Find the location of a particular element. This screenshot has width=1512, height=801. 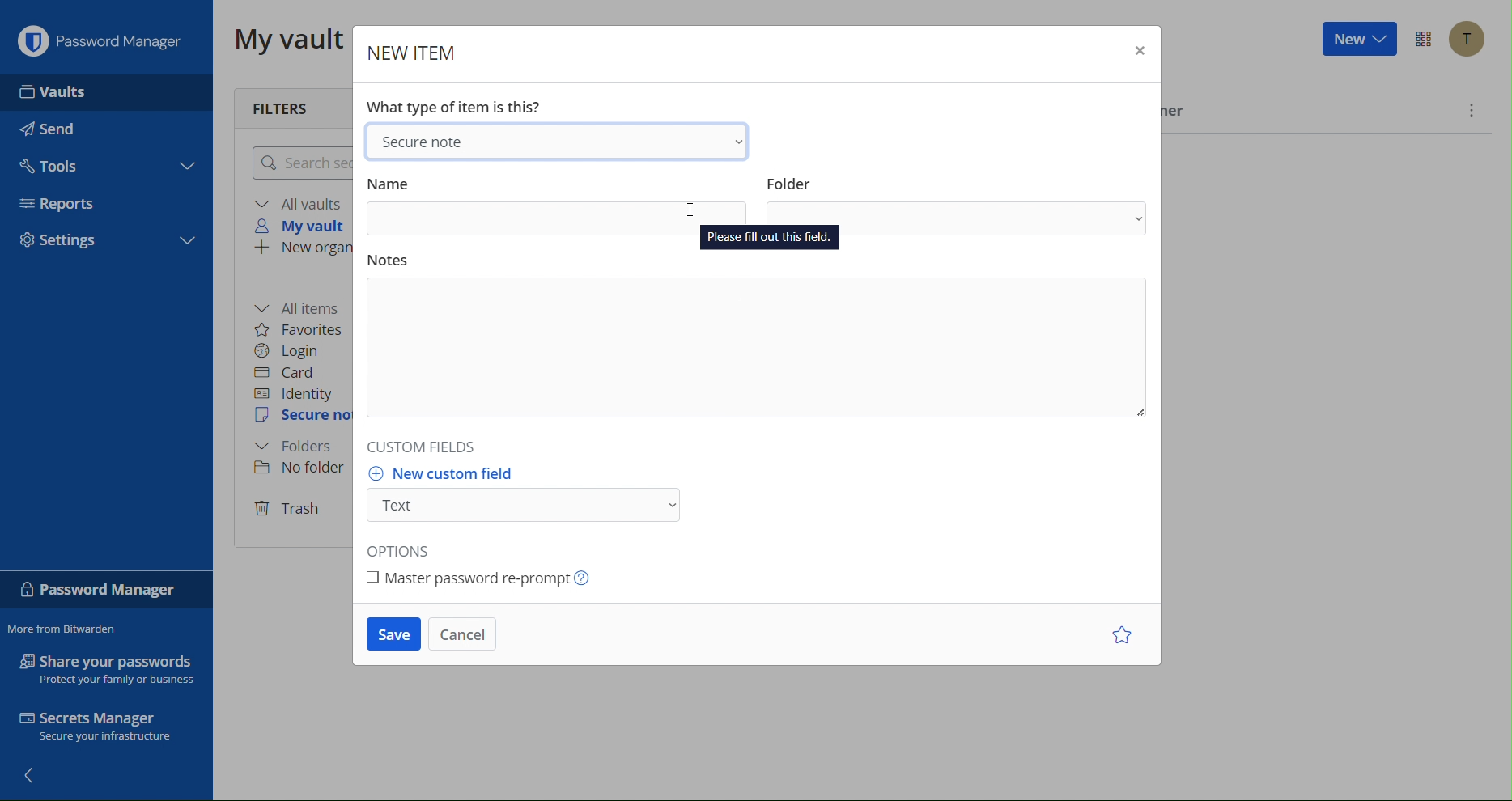

Card is located at coordinates (293, 372).